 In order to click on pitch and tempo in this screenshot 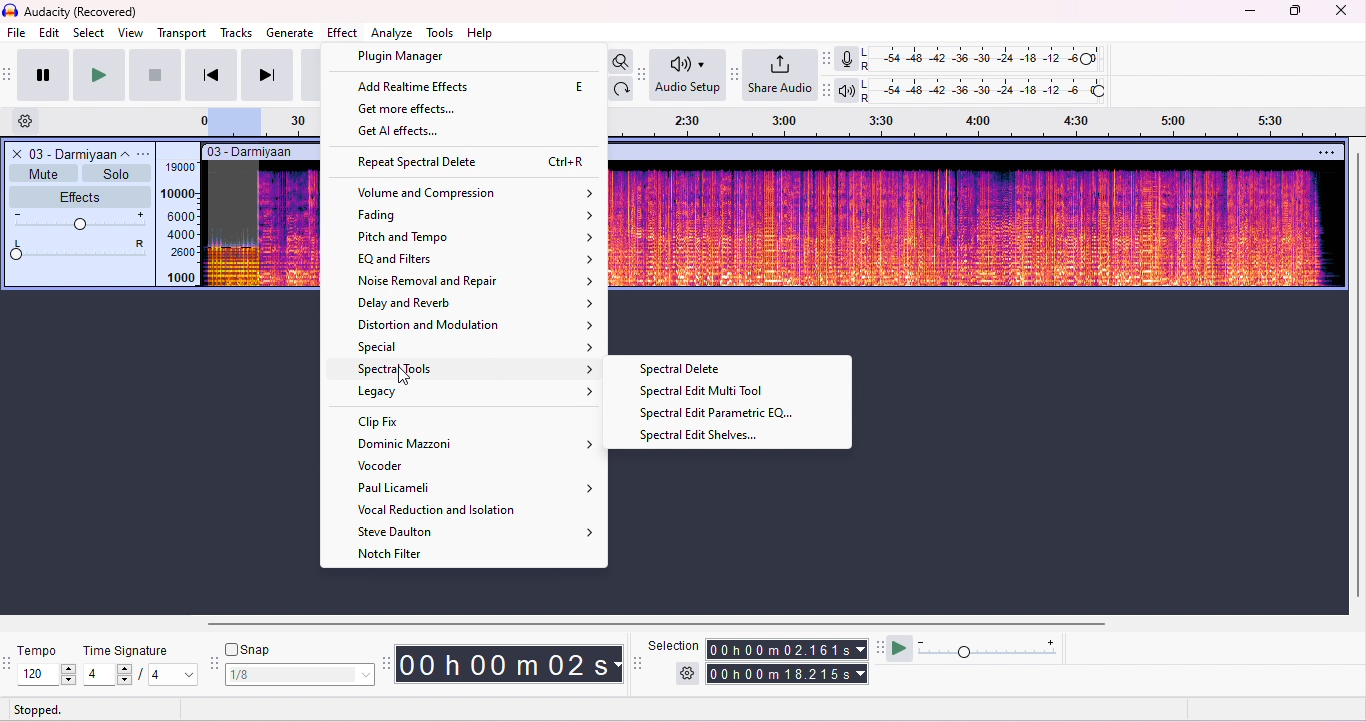, I will do `click(477, 236)`.